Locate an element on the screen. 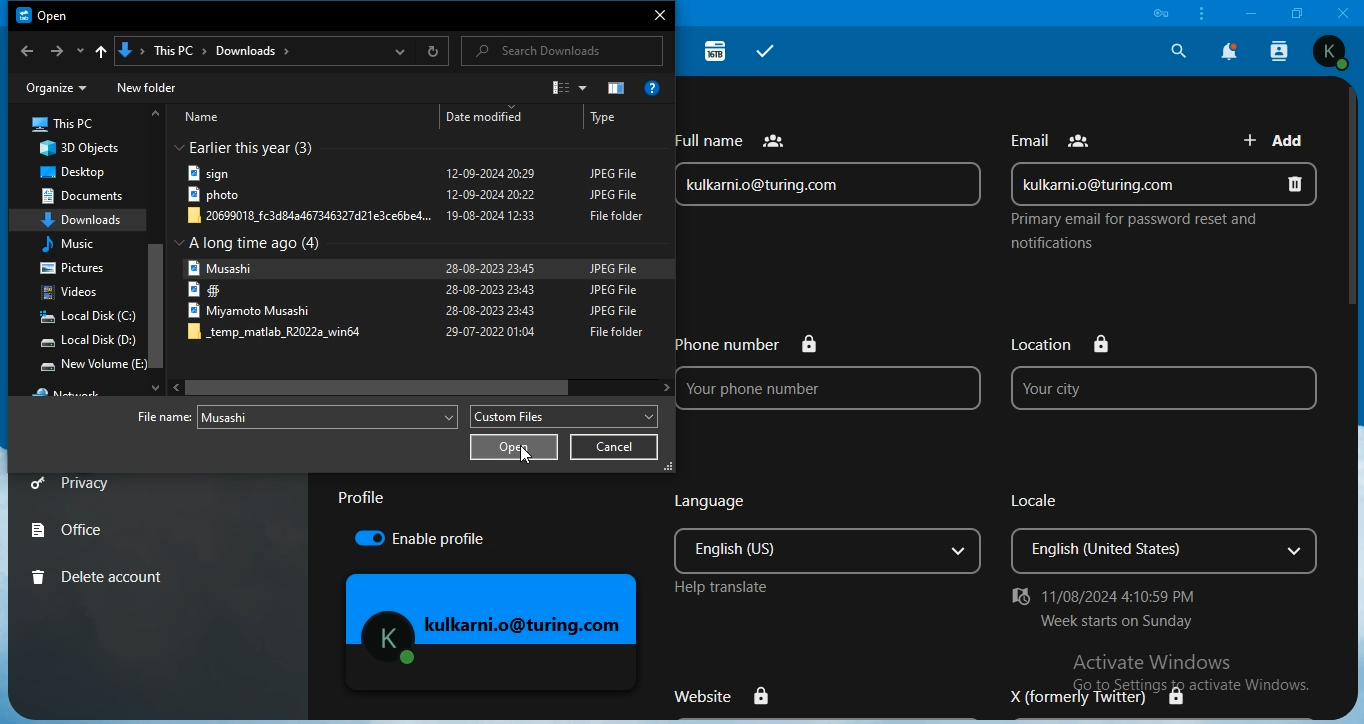 This screenshot has height=724, width=1364. view profile is located at coordinates (1331, 52).